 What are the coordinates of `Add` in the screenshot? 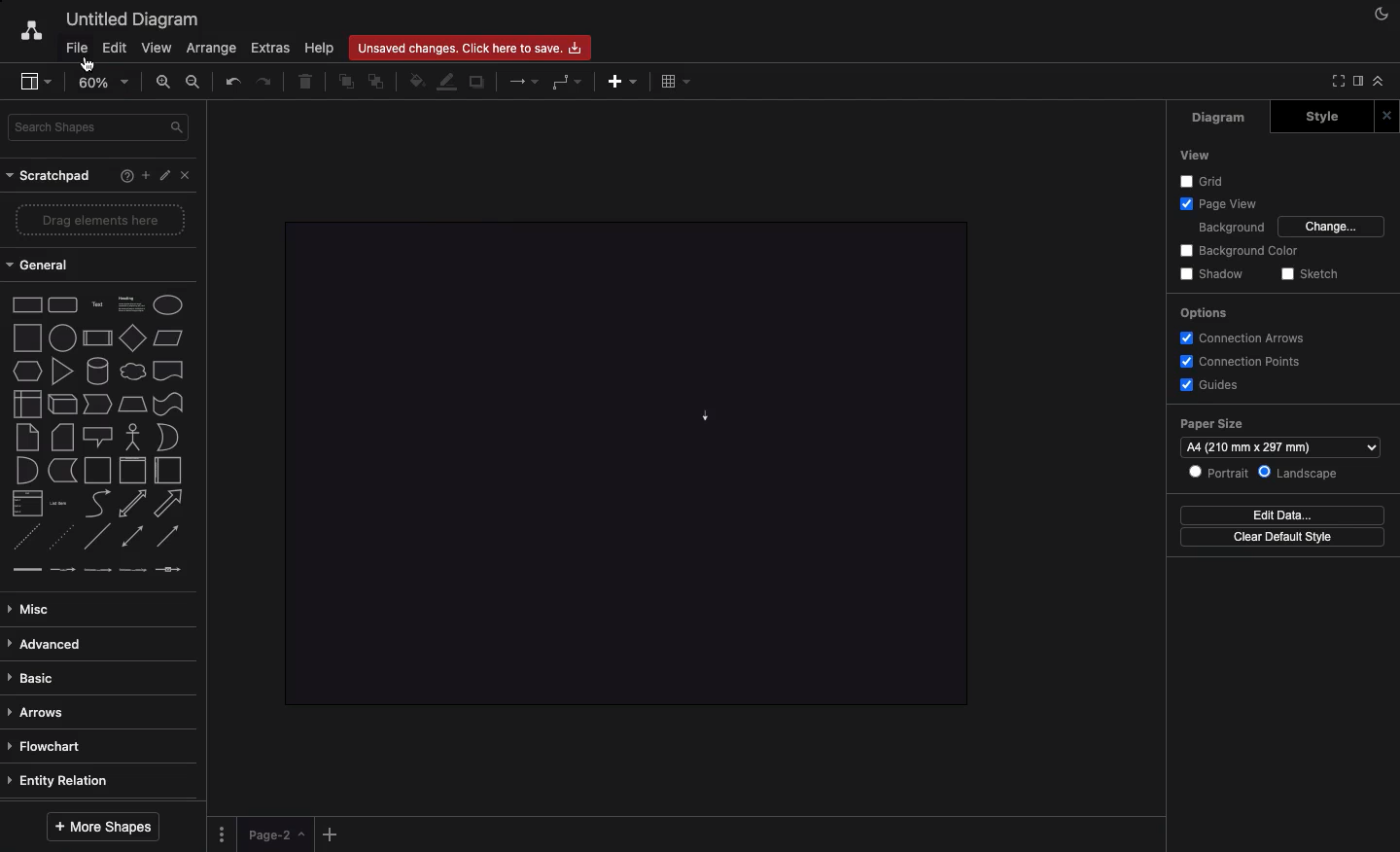 It's located at (146, 173).